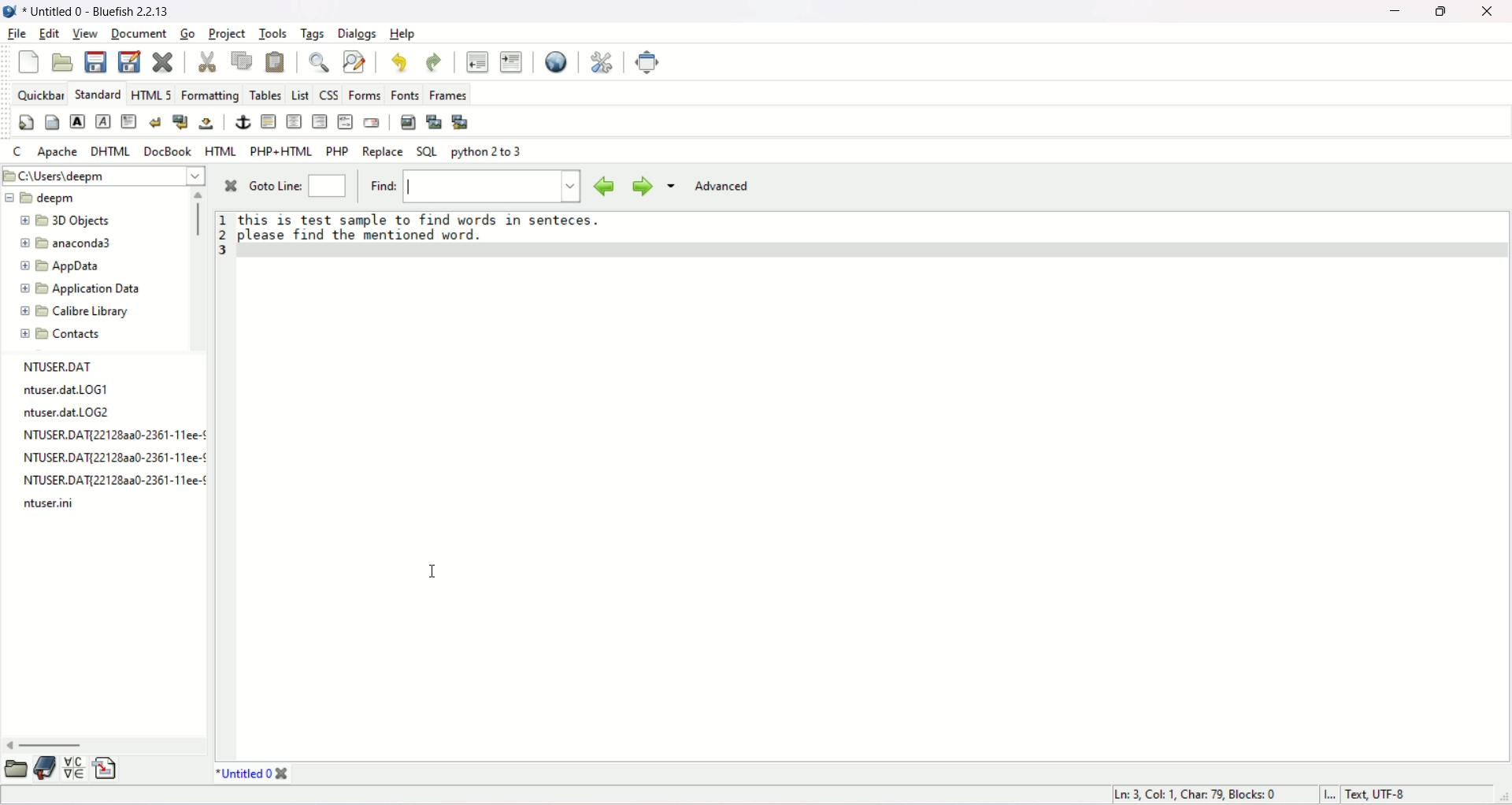 The height and width of the screenshot is (805, 1512). What do you see at coordinates (272, 34) in the screenshot?
I see `tools` at bounding box center [272, 34].